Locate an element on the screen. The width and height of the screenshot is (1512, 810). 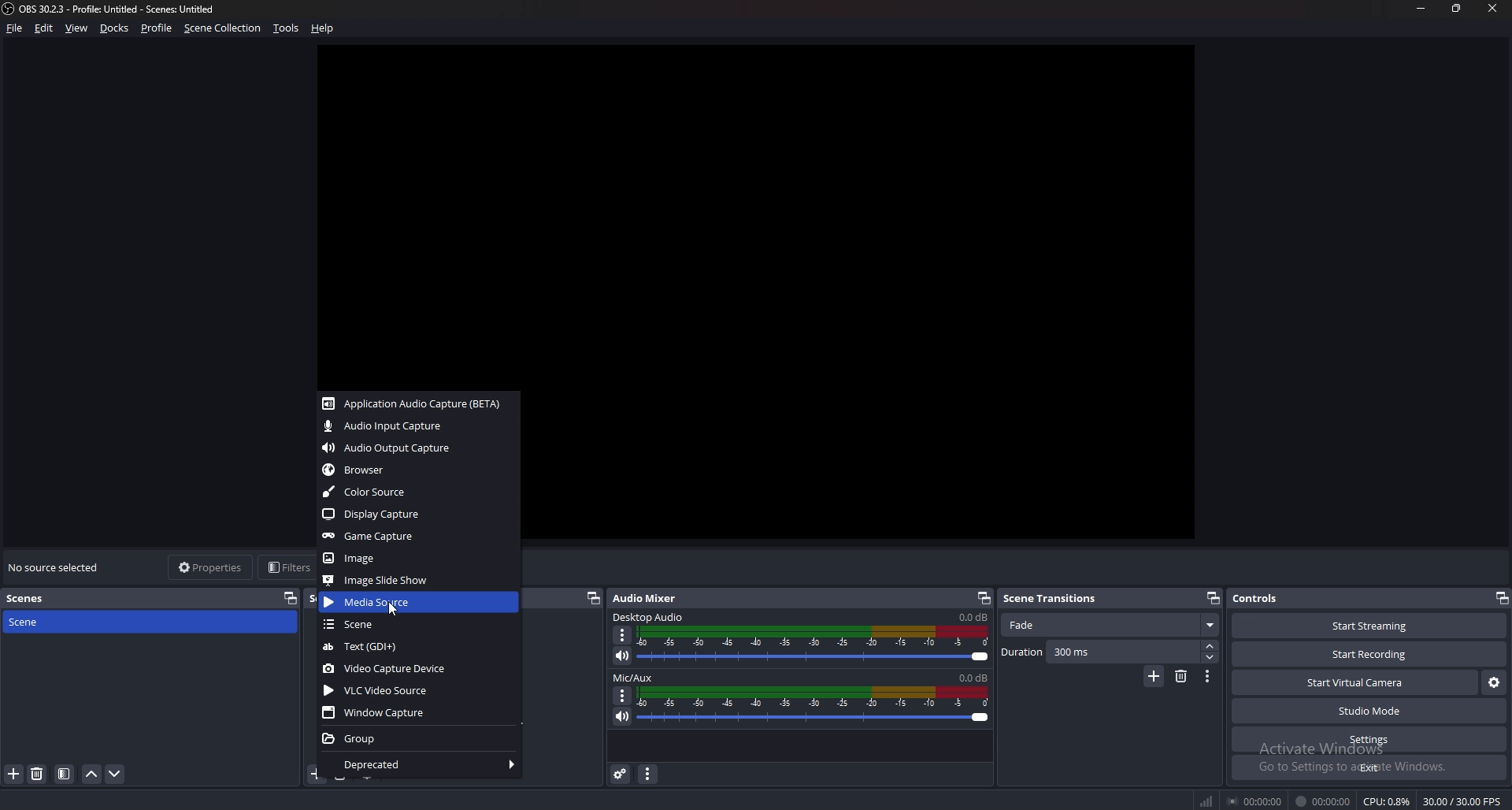
Pop out is located at coordinates (984, 599).